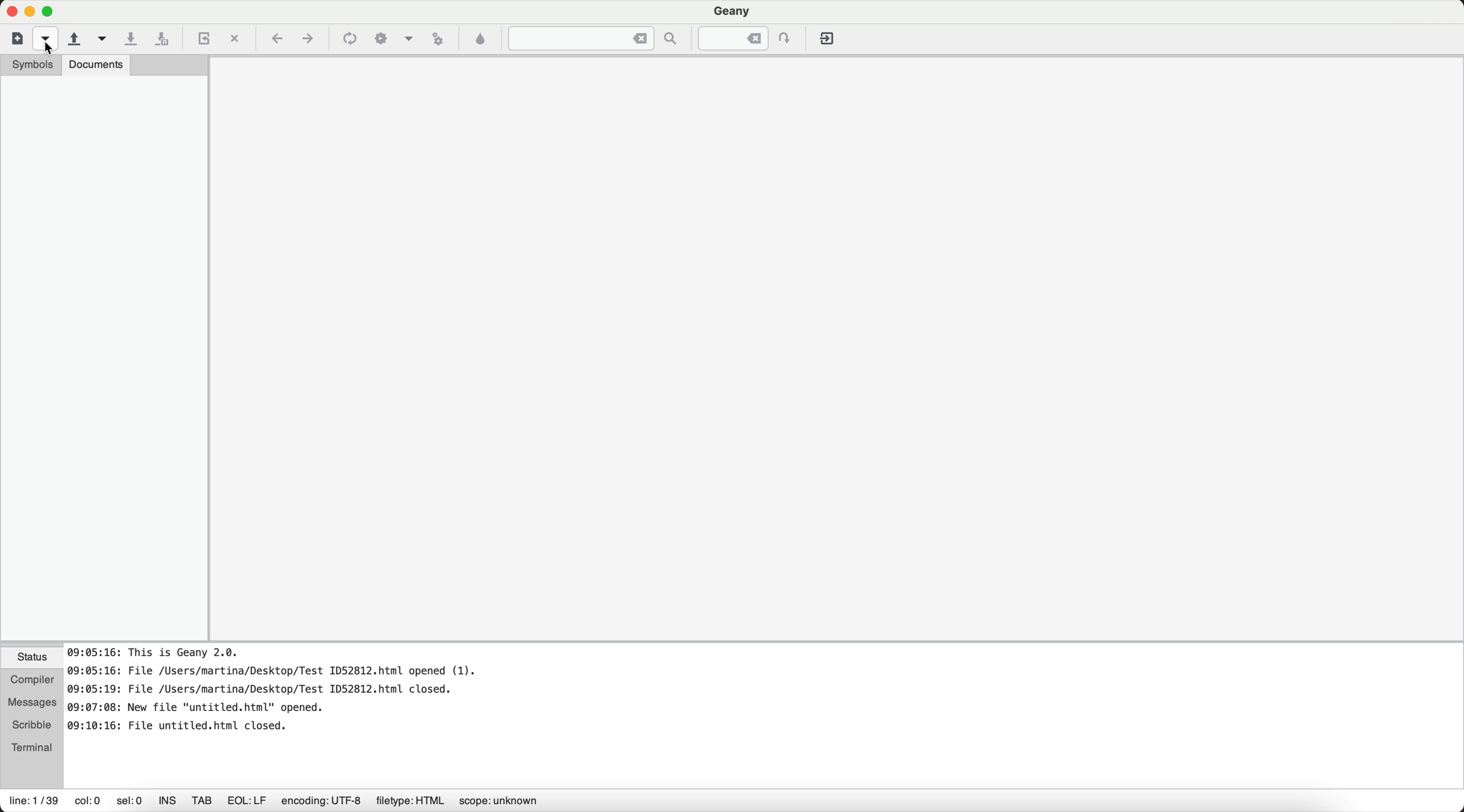 This screenshot has width=1464, height=812. Describe the element at coordinates (15, 38) in the screenshot. I see `new file` at that location.